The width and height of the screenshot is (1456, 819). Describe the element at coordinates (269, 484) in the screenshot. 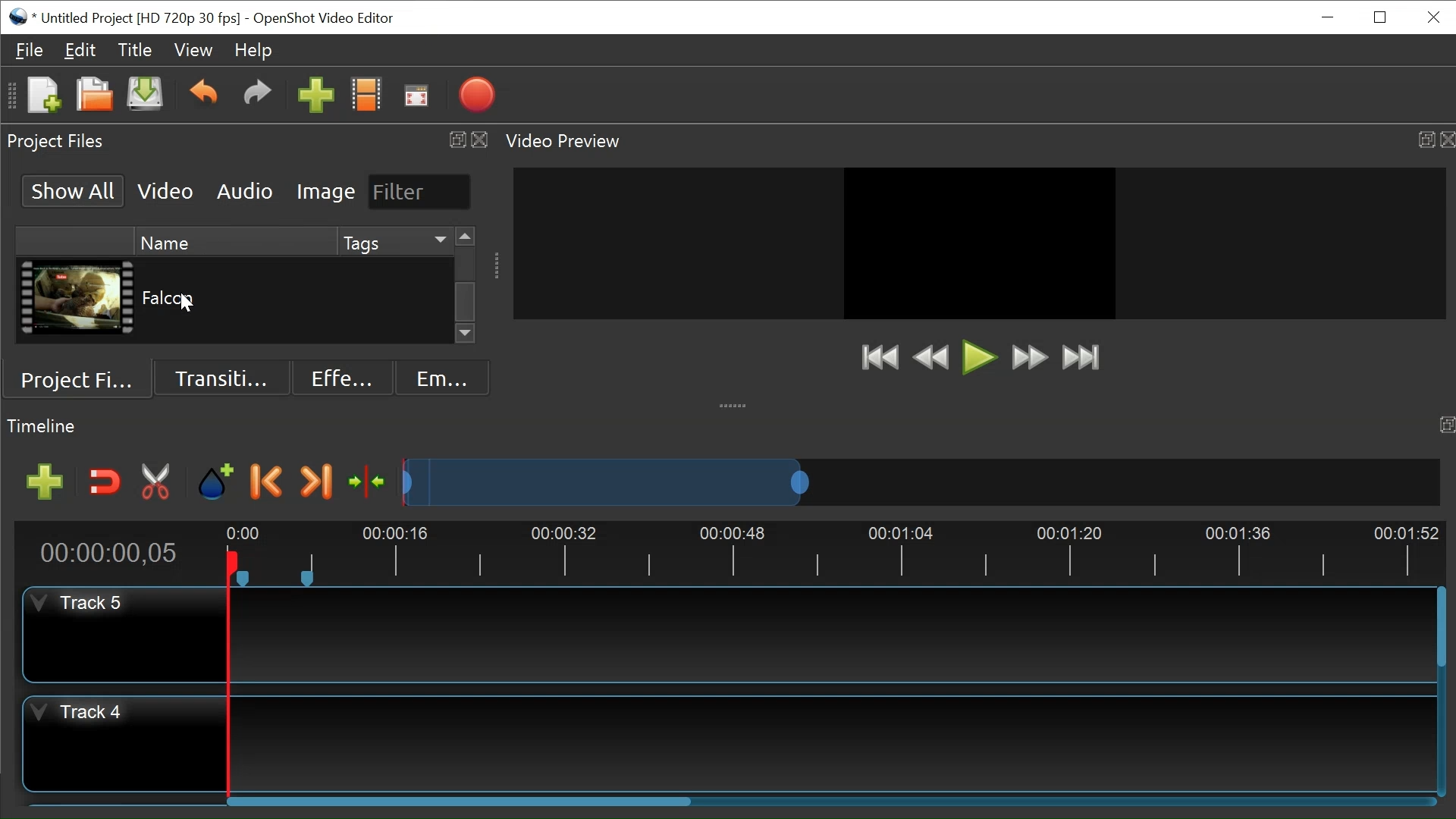

I see `Previous marker` at that location.